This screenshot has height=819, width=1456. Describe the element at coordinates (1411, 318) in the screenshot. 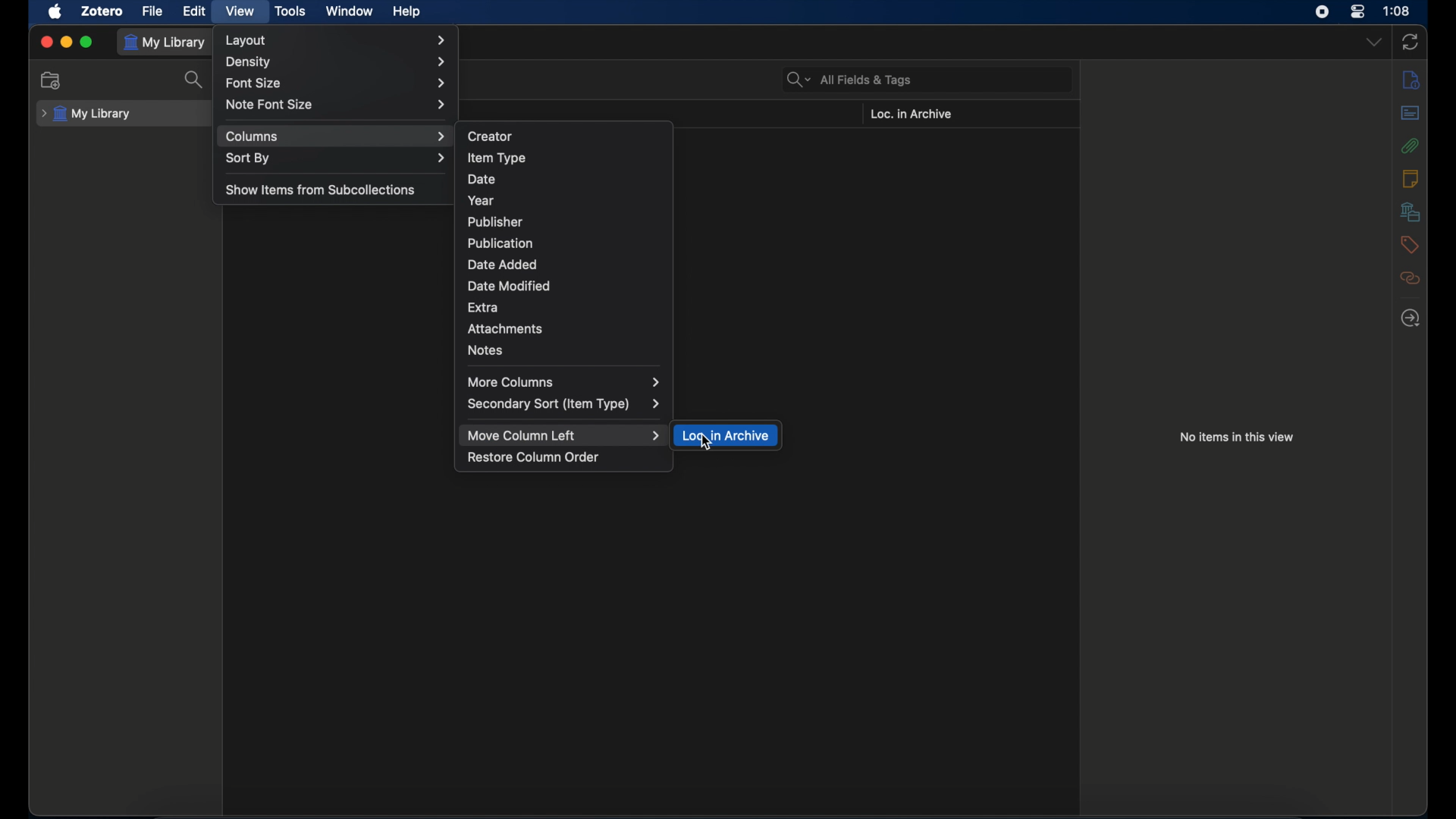

I see `locate` at that location.